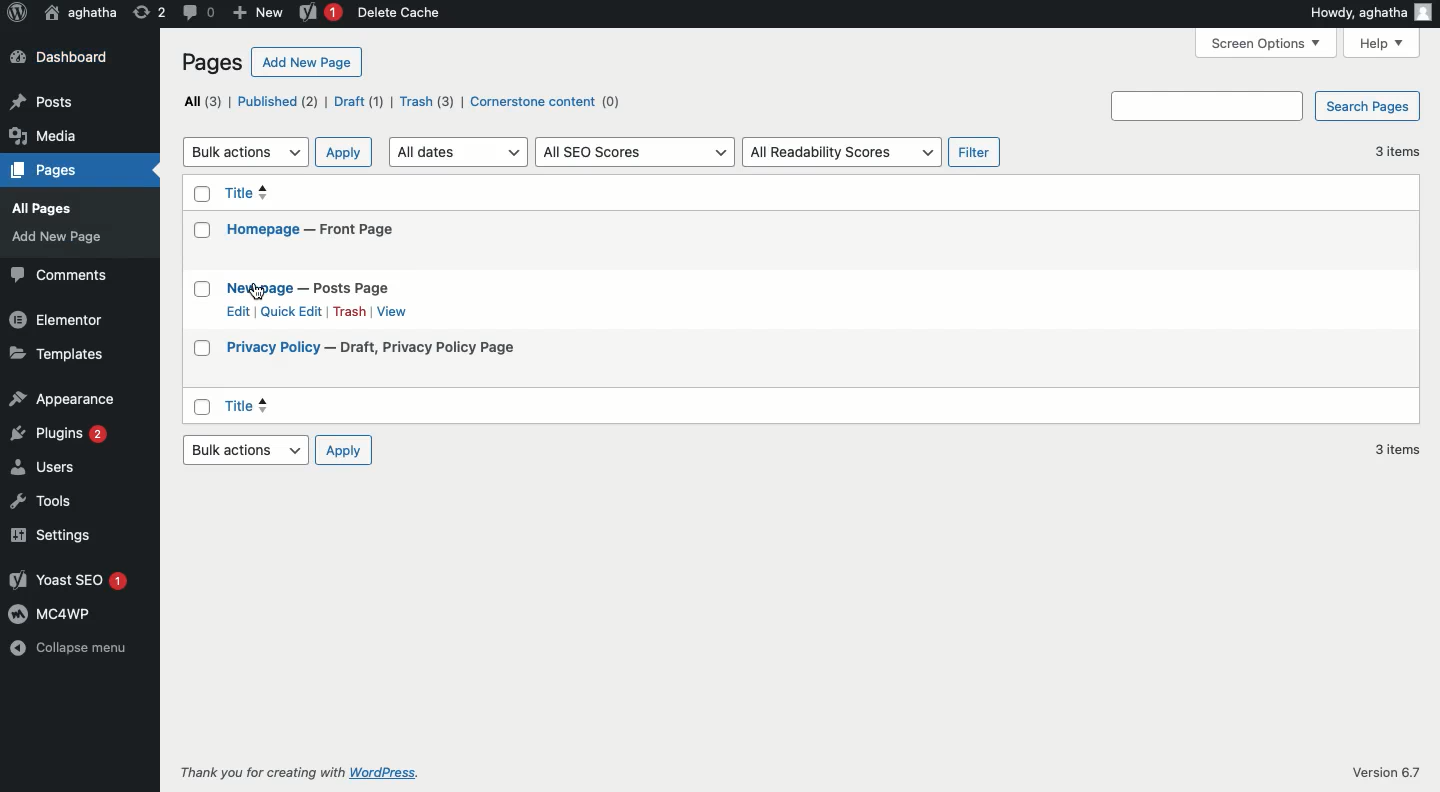 This screenshot has height=792, width=1440. Describe the element at coordinates (48, 613) in the screenshot. I see `MC4WP` at that location.